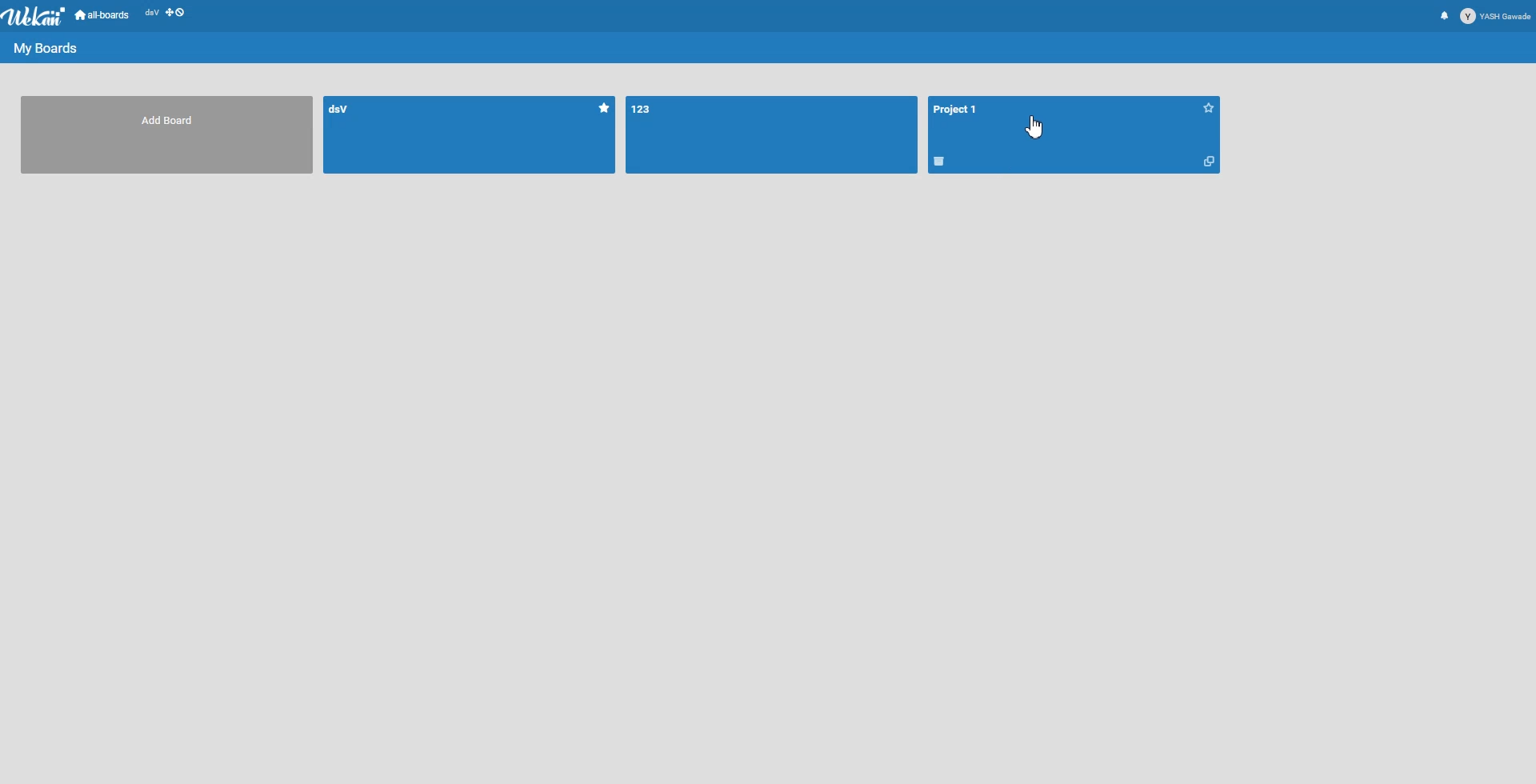 Image resolution: width=1536 pixels, height=784 pixels. Describe the element at coordinates (1444, 15) in the screenshot. I see `Notification` at that location.